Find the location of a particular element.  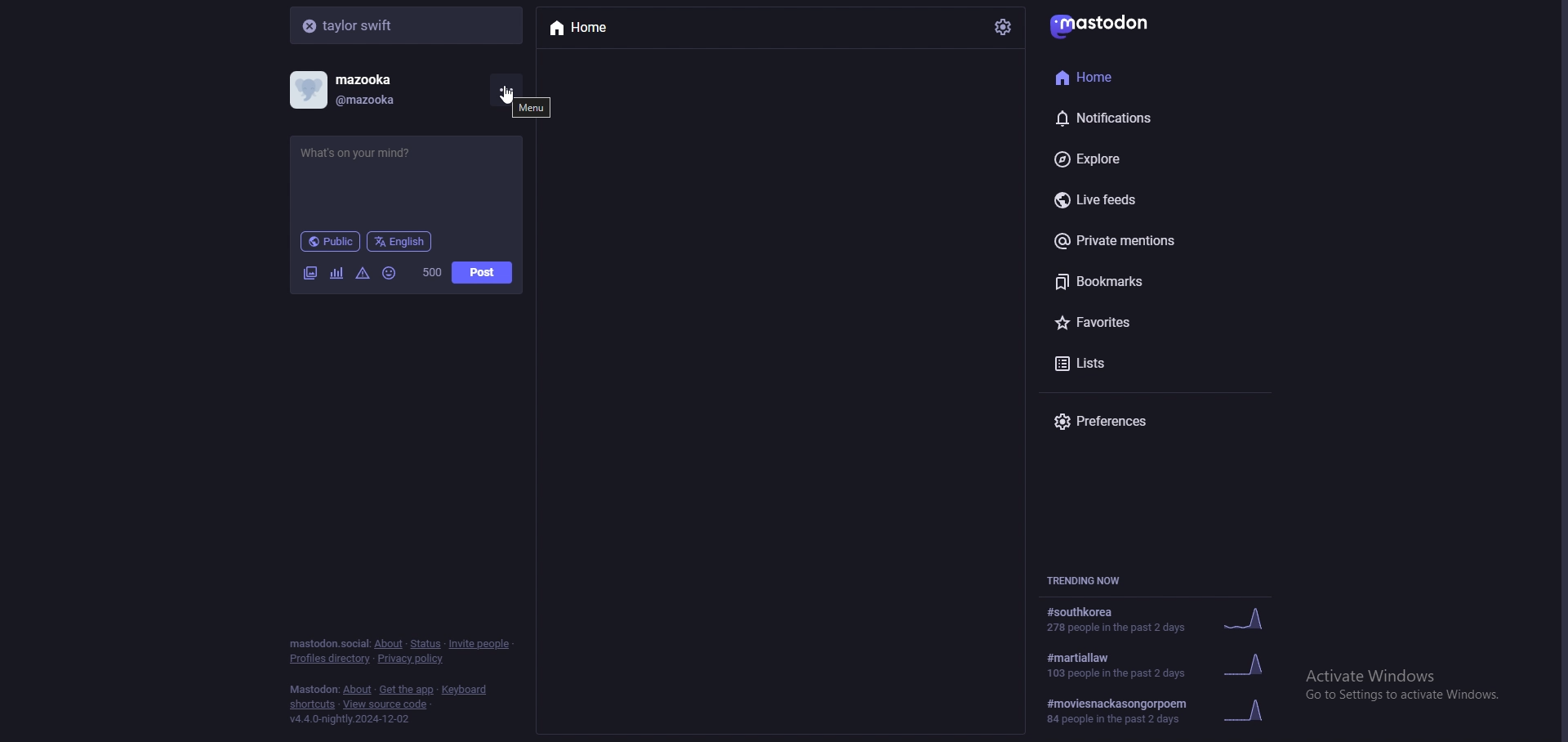

preferences is located at coordinates (1134, 422).